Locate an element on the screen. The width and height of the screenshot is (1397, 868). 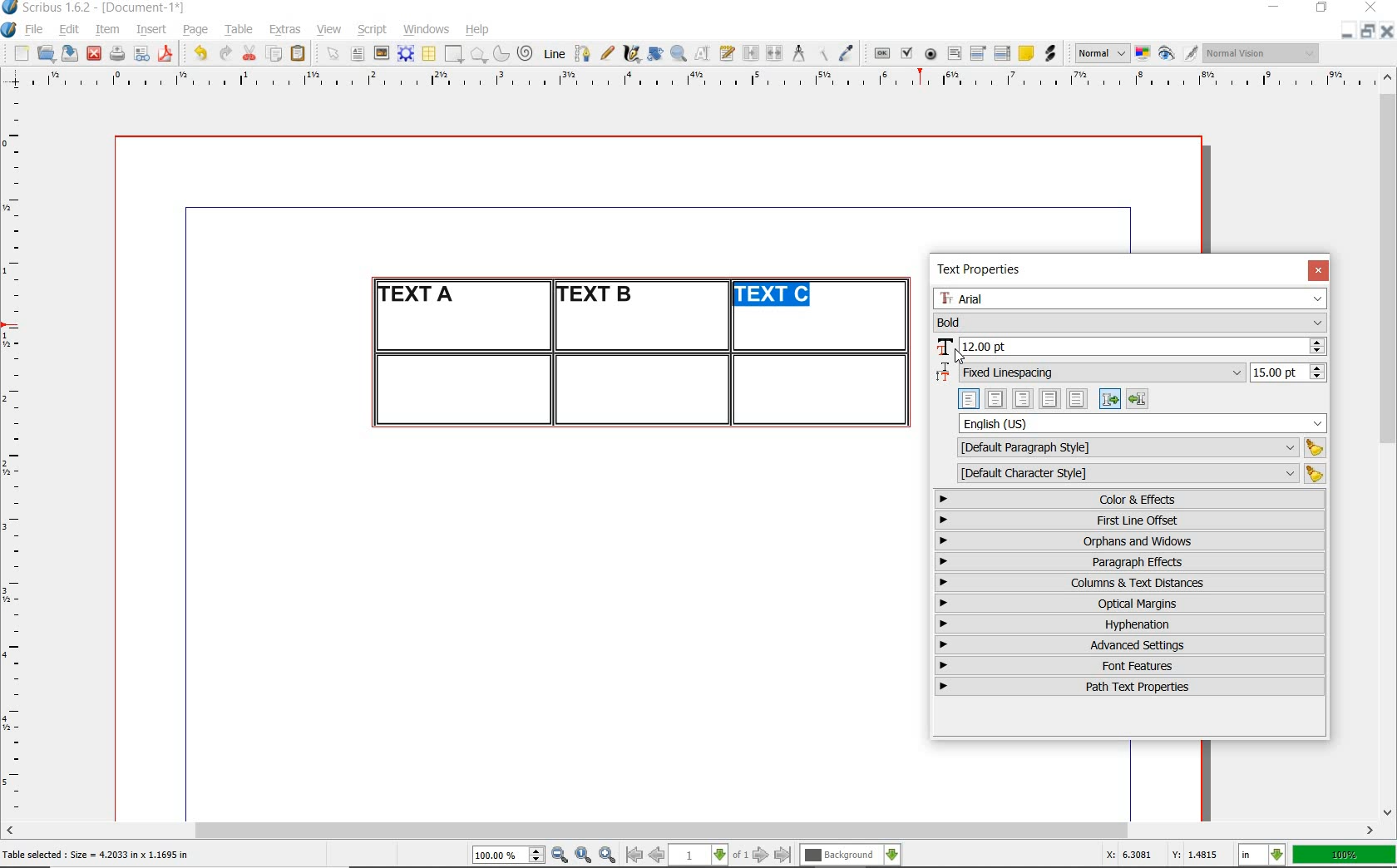
color & effects is located at coordinates (1132, 499).